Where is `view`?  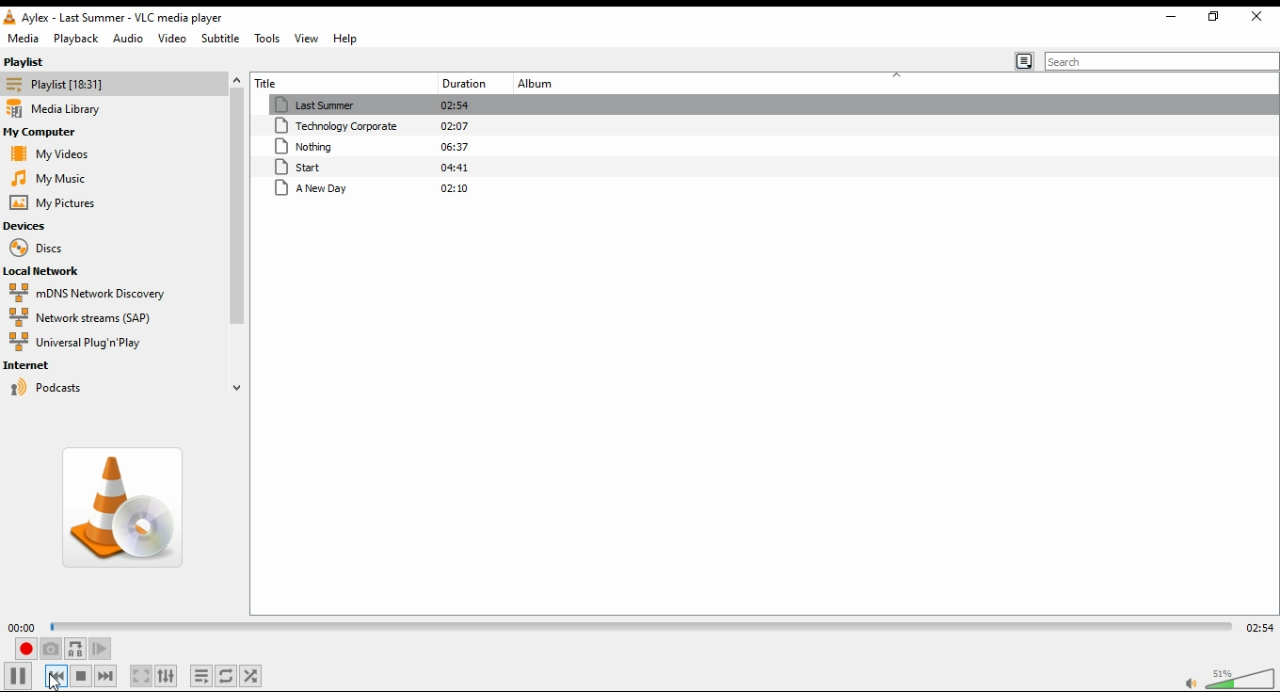 view is located at coordinates (306, 37).